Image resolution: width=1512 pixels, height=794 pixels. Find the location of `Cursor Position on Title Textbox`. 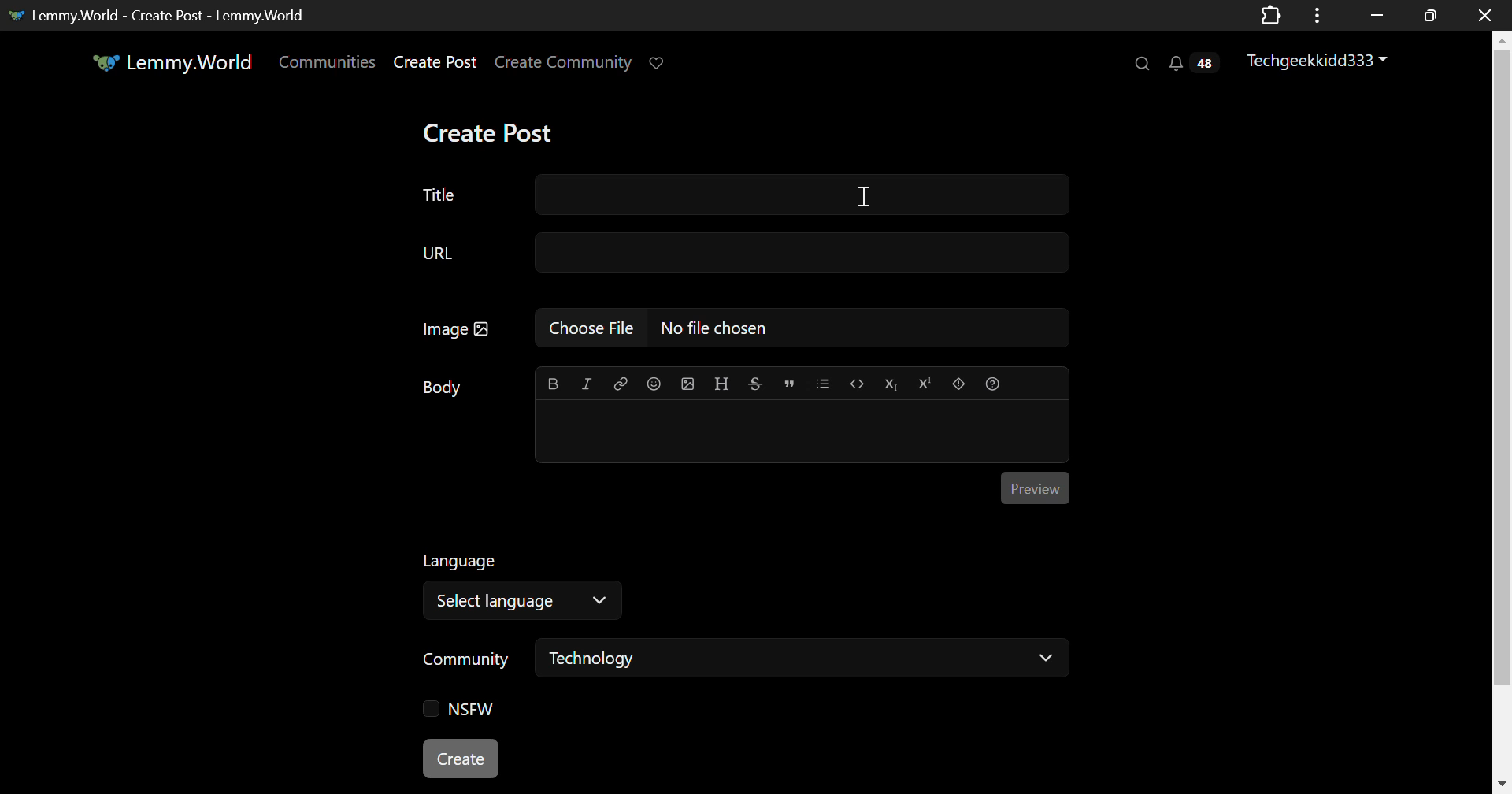

Cursor Position on Title Textbox is located at coordinates (866, 193).